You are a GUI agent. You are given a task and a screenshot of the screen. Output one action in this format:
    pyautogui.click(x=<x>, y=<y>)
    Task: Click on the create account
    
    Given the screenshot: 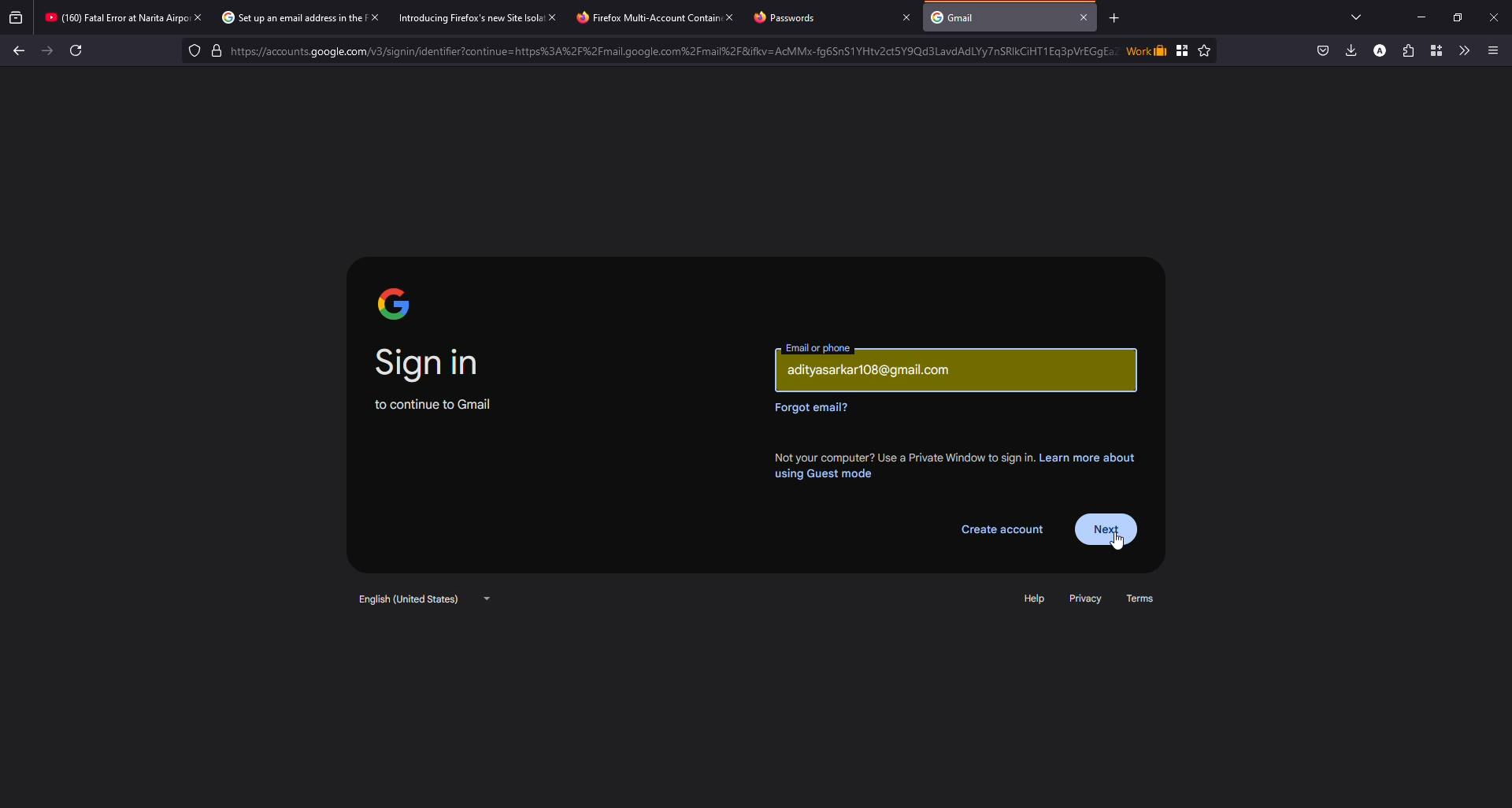 What is the action you would take?
    pyautogui.click(x=1002, y=531)
    